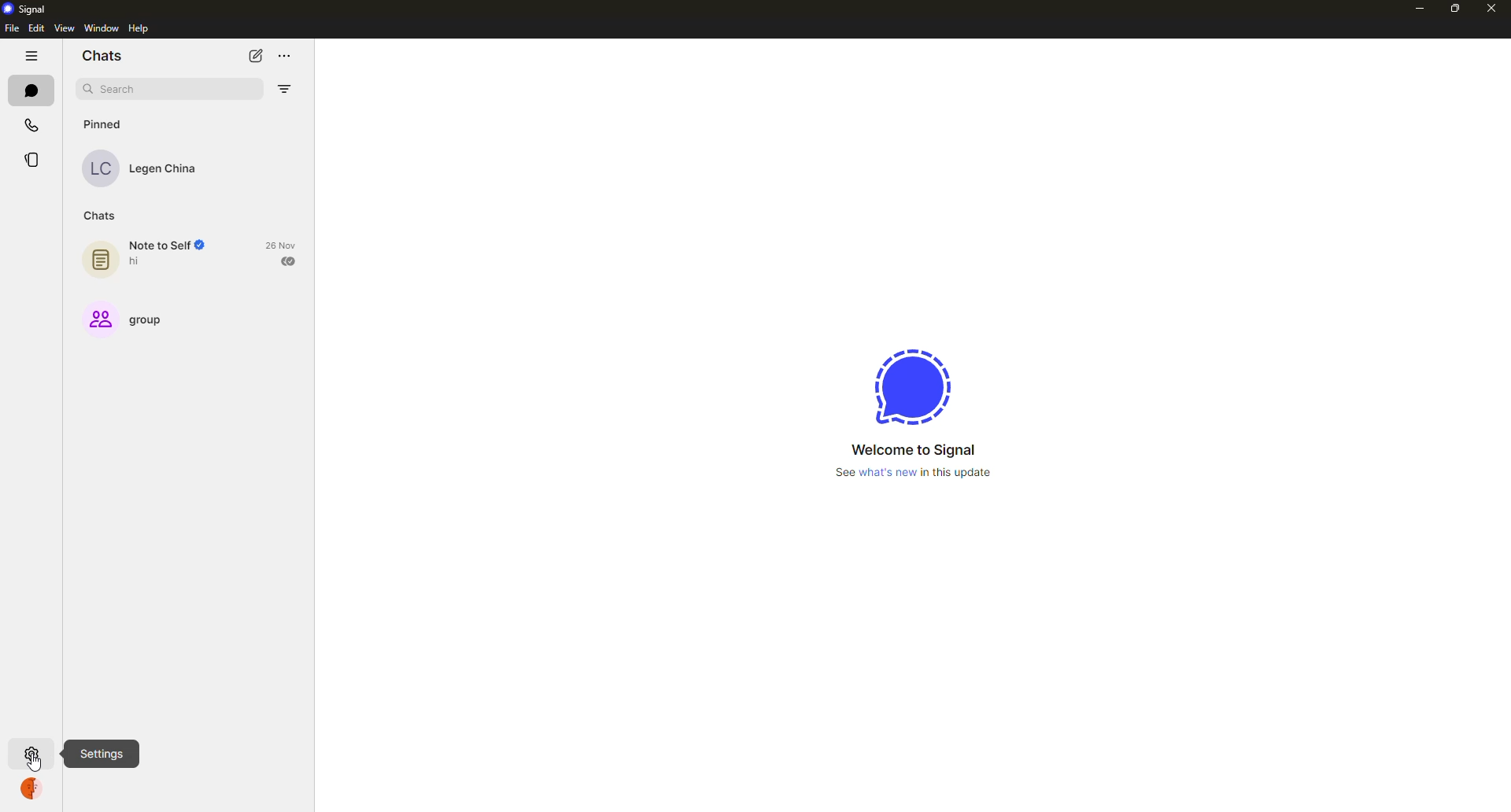 The height and width of the screenshot is (812, 1511). Describe the element at coordinates (31, 90) in the screenshot. I see `chats` at that location.